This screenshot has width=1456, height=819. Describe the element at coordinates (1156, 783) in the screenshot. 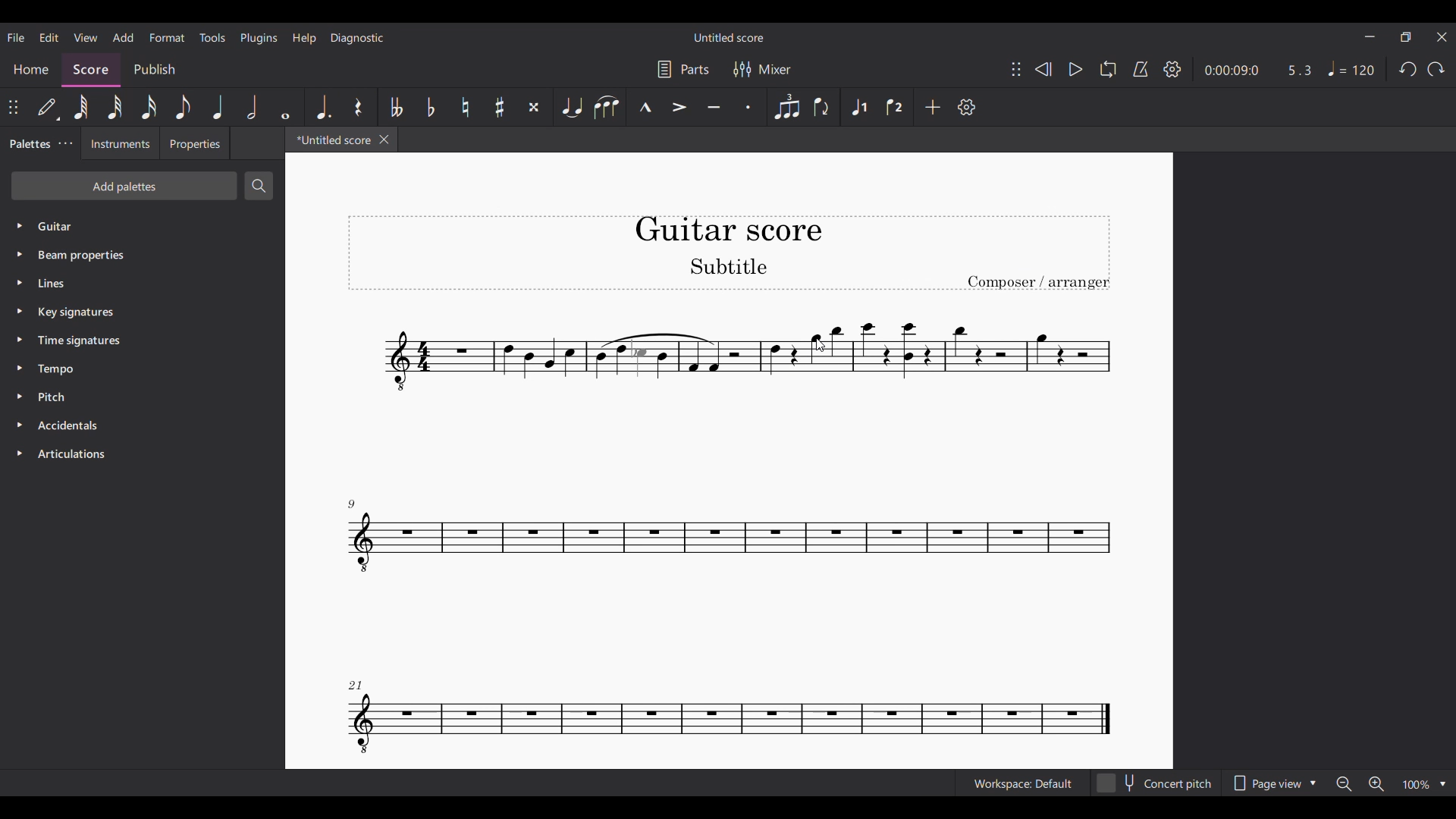

I see `Concert pitch toggle` at that location.